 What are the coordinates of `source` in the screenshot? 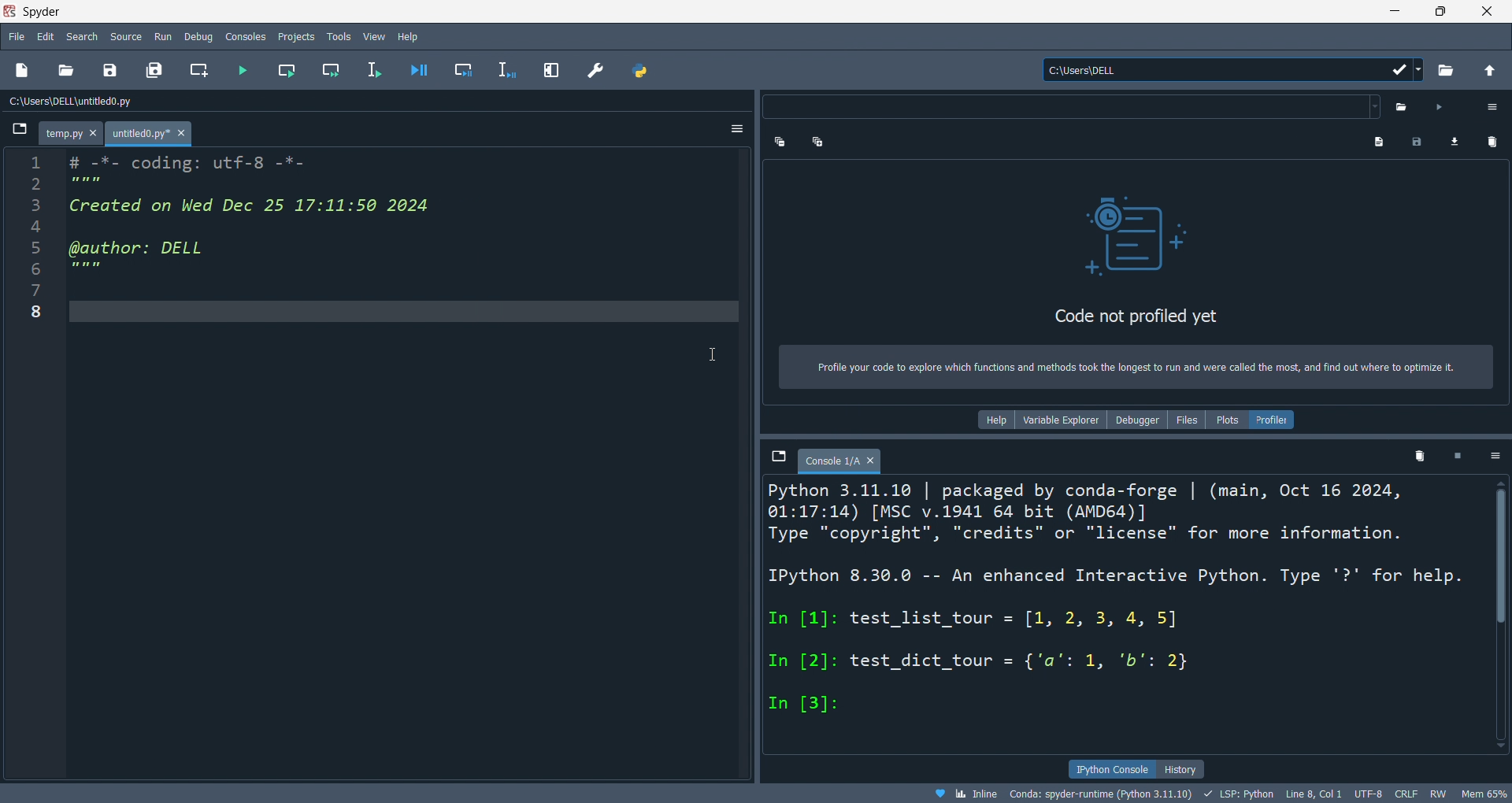 It's located at (127, 35).